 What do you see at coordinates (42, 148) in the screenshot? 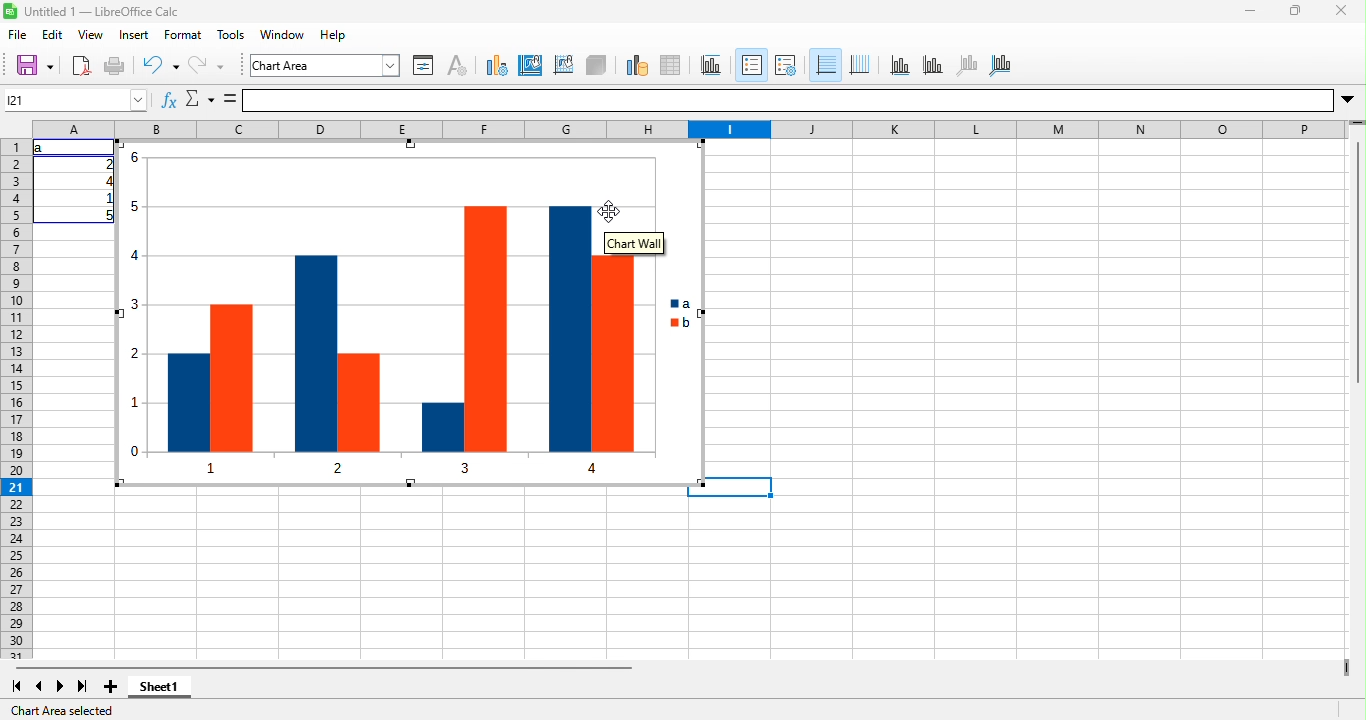
I see `a` at bounding box center [42, 148].